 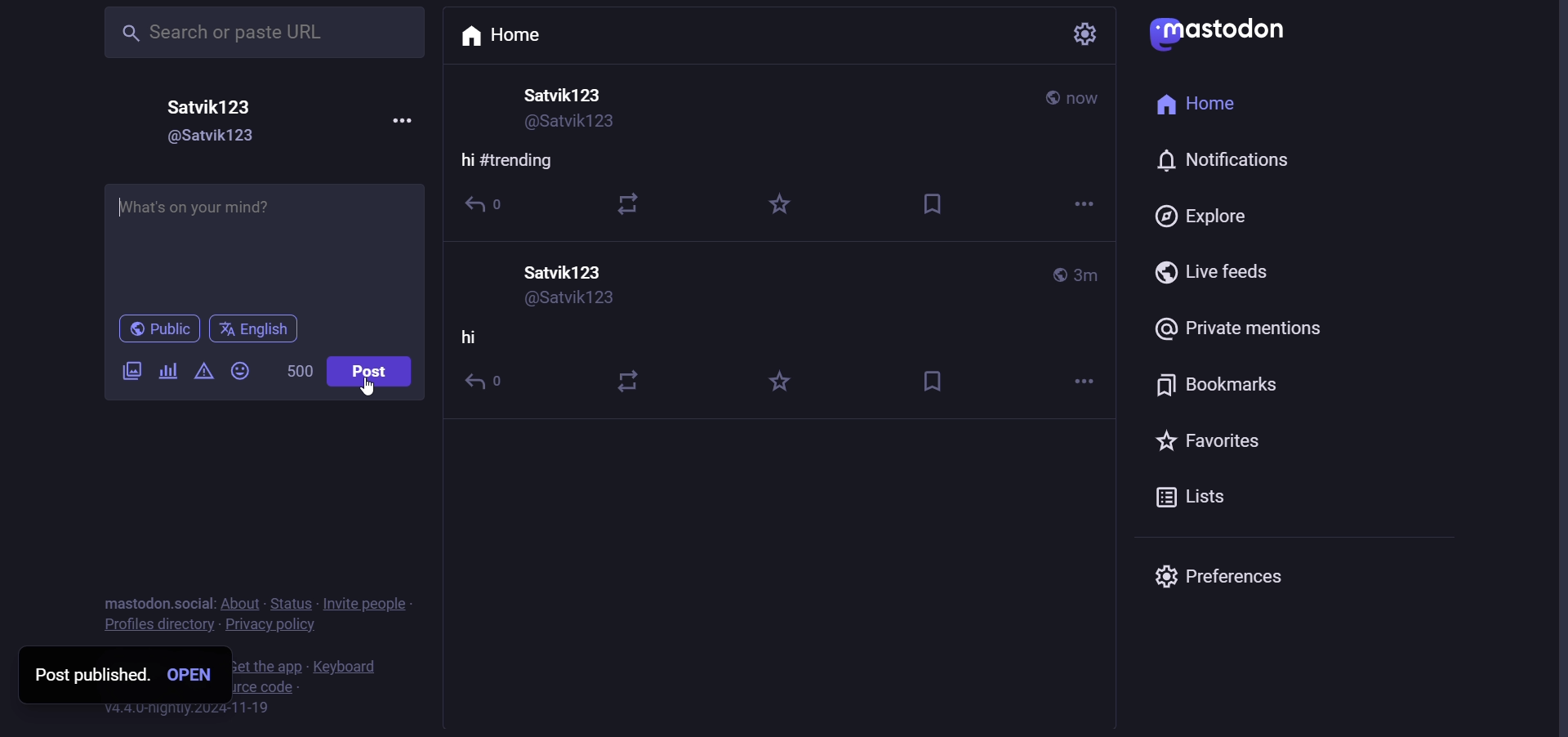 What do you see at coordinates (568, 303) in the screenshot?
I see `user id` at bounding box center [568, 303].